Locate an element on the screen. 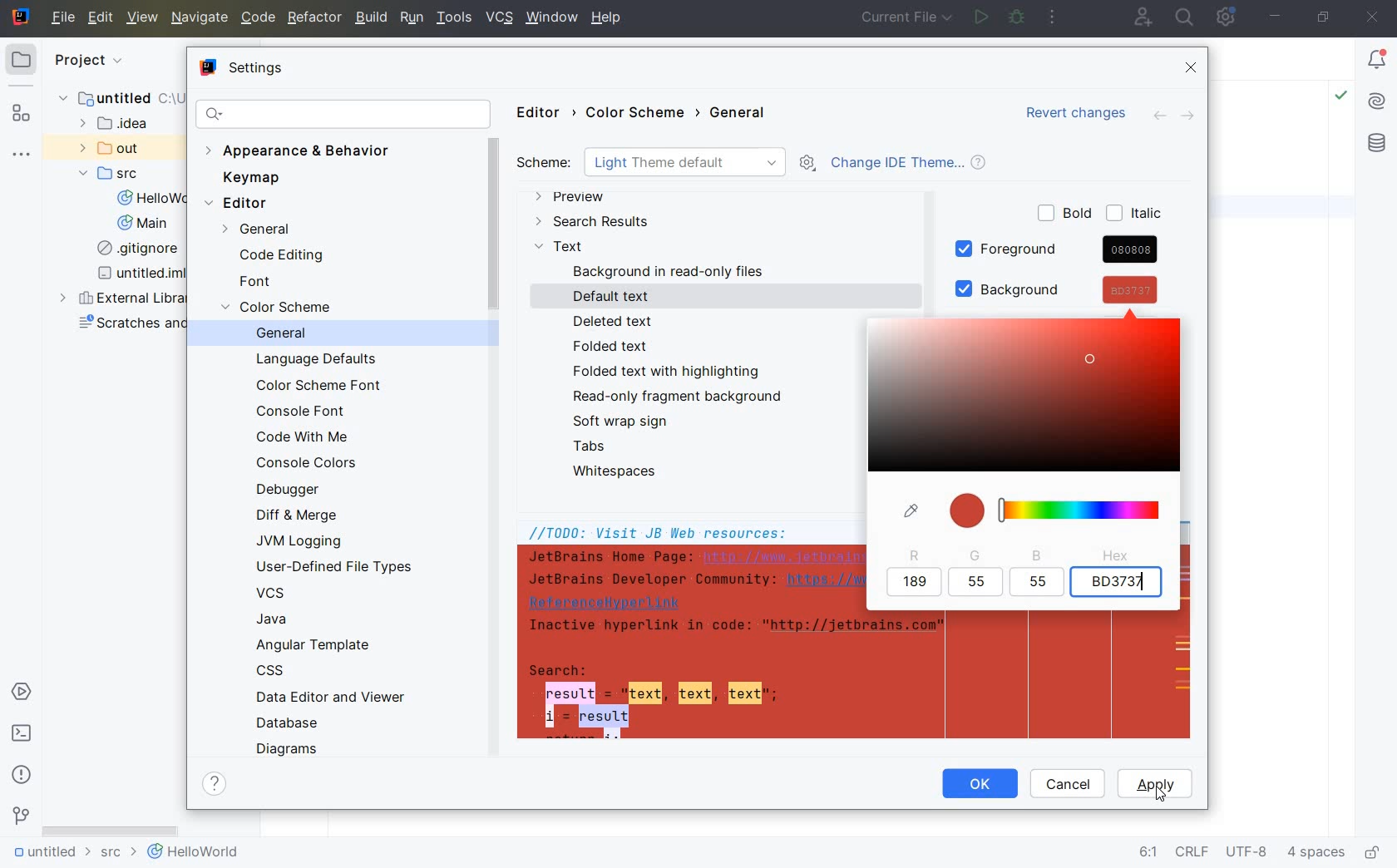 This screenshot has width=1397, height=868. BUILD is located at coordinates (371, 17).